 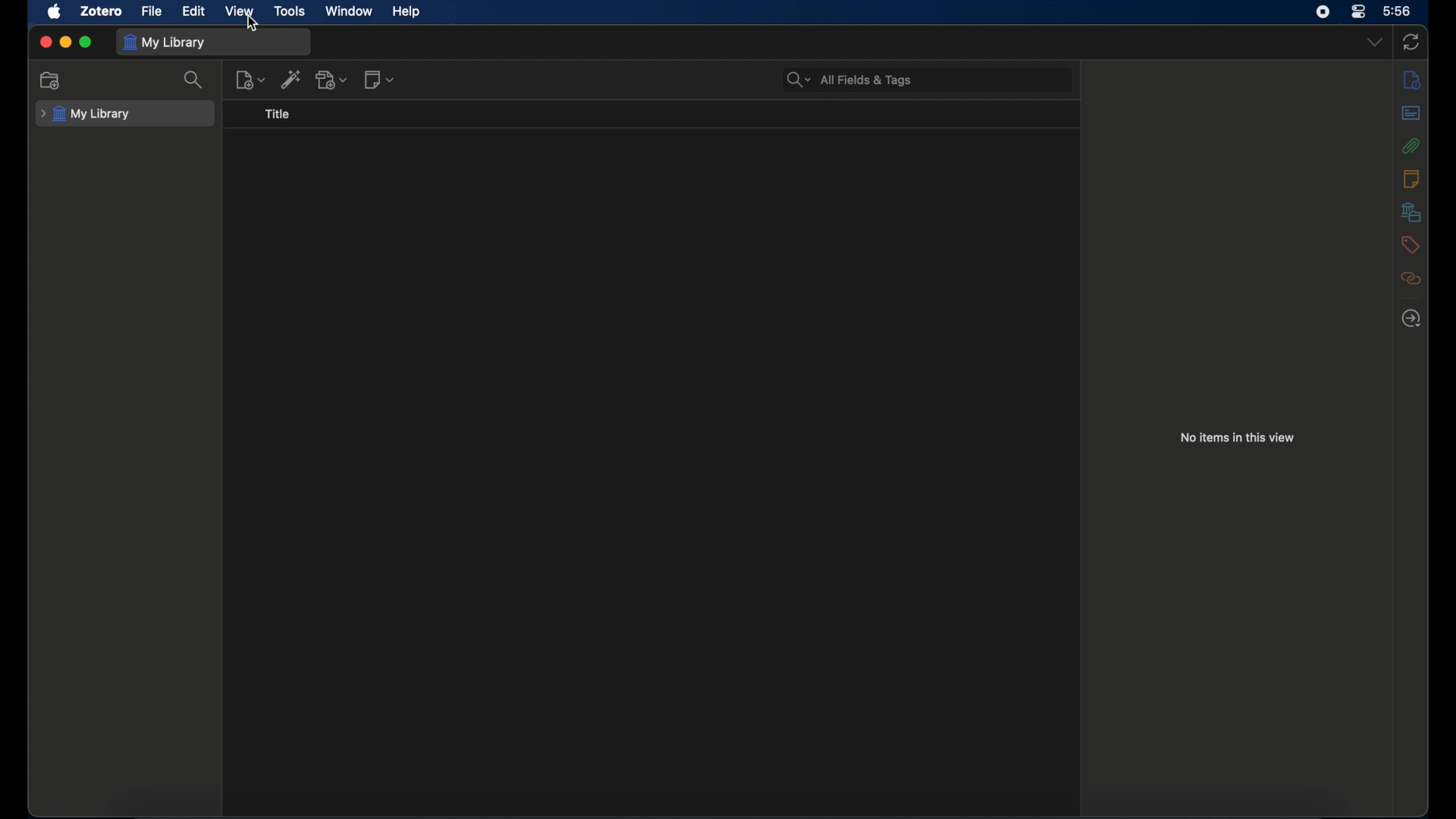 What do you see at coordinates (86, 114) in the screenshot?
I see `my library` at bounding box center [86, 114].